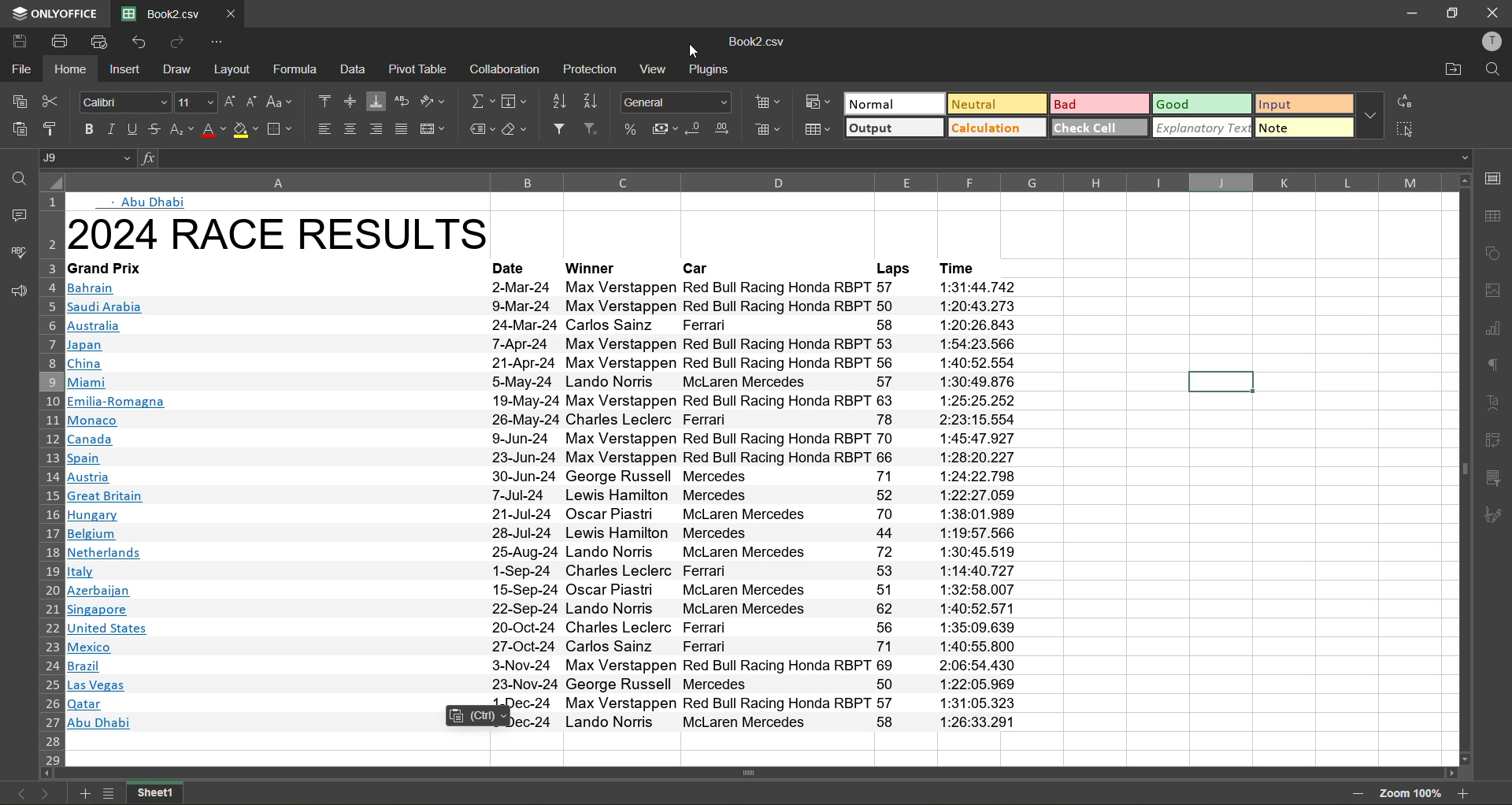 The height and width of the screenshot is (805, 1512). I want to click on zoom out, so click(1357, 796).